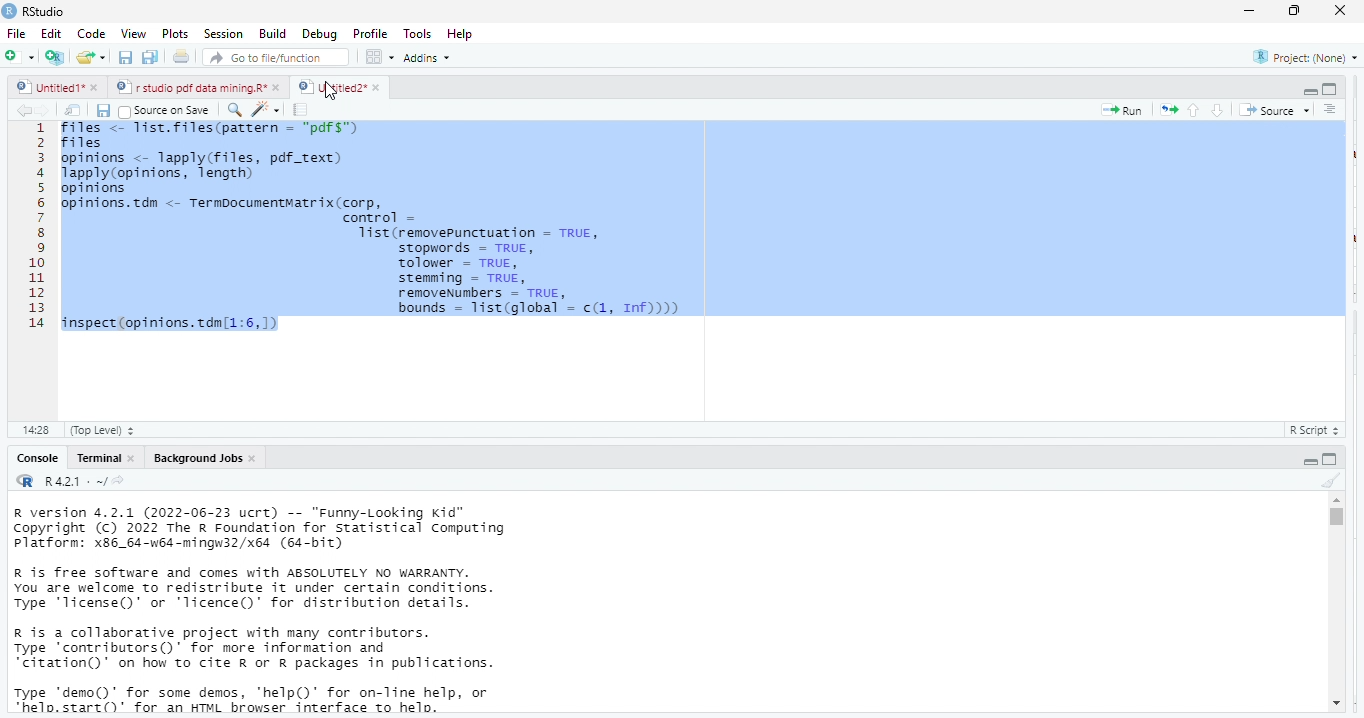 The width and height of the screenshot is (1364, 718). Describe the element at coordinates (1335, 705) in the screenshot. I see `scroll down` at that location.